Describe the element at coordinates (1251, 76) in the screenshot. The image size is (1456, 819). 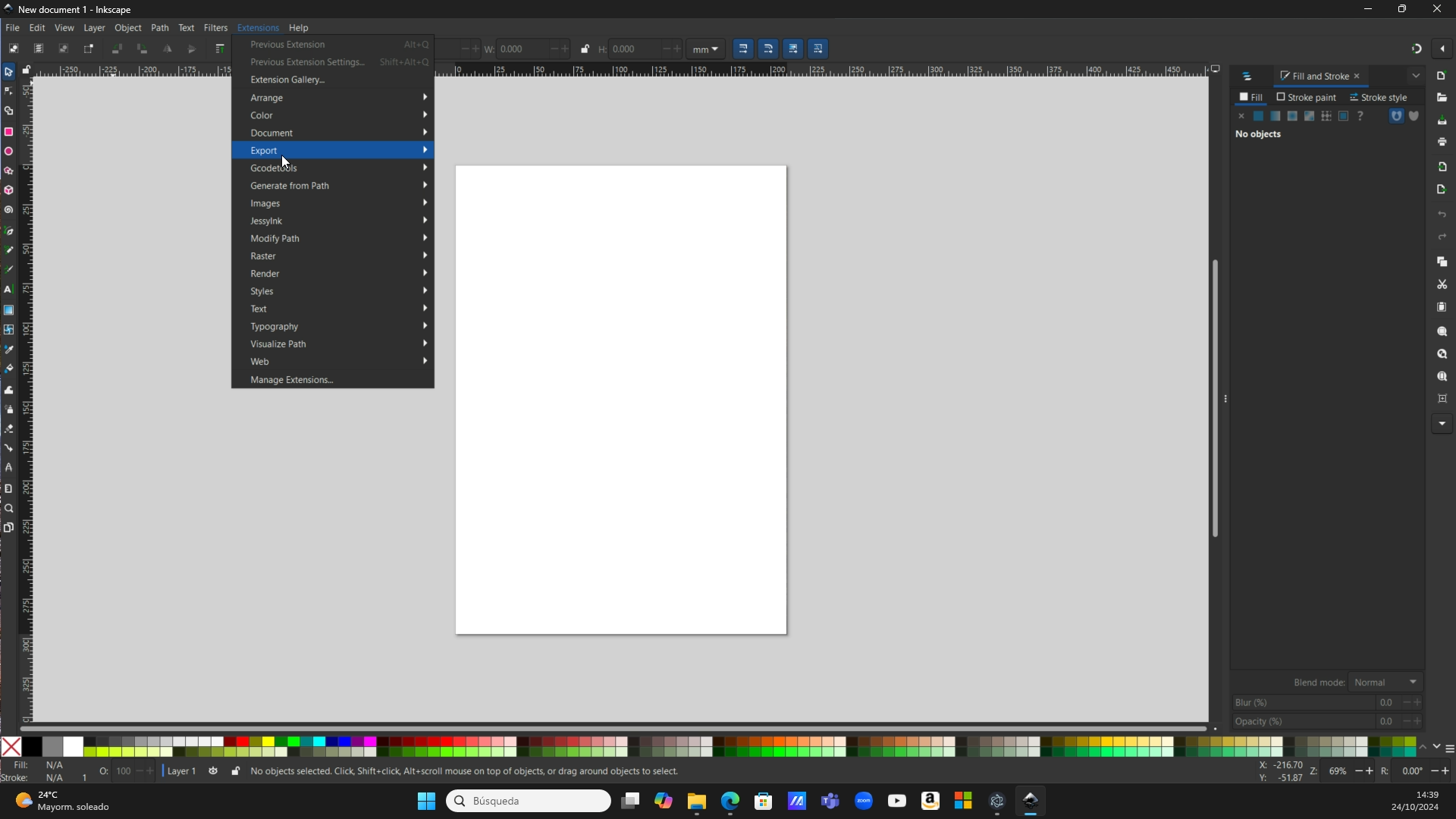
I see `Logo` at that location.